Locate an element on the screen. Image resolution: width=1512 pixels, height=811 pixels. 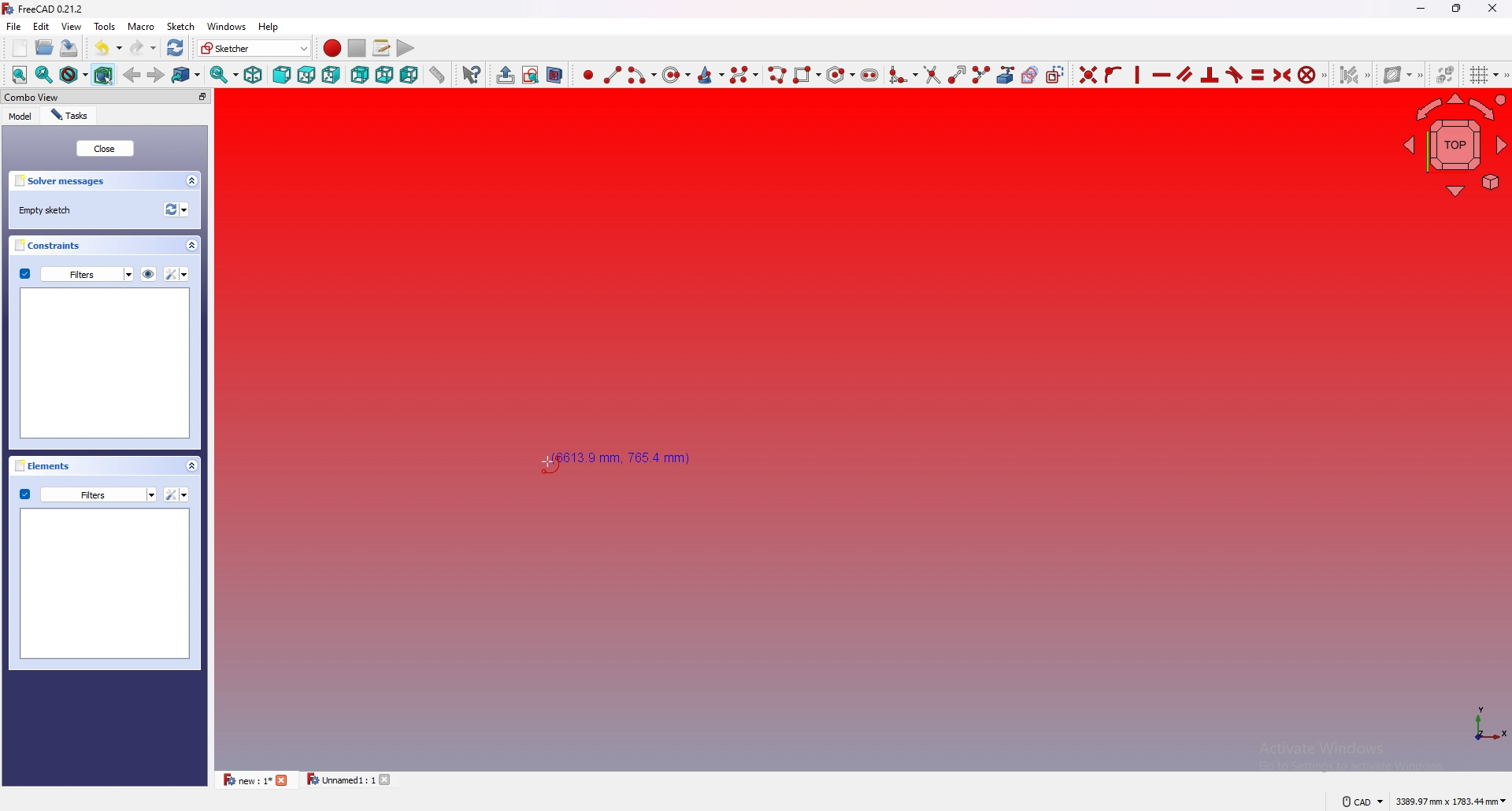
isometric is located at coordinates (254, 75).